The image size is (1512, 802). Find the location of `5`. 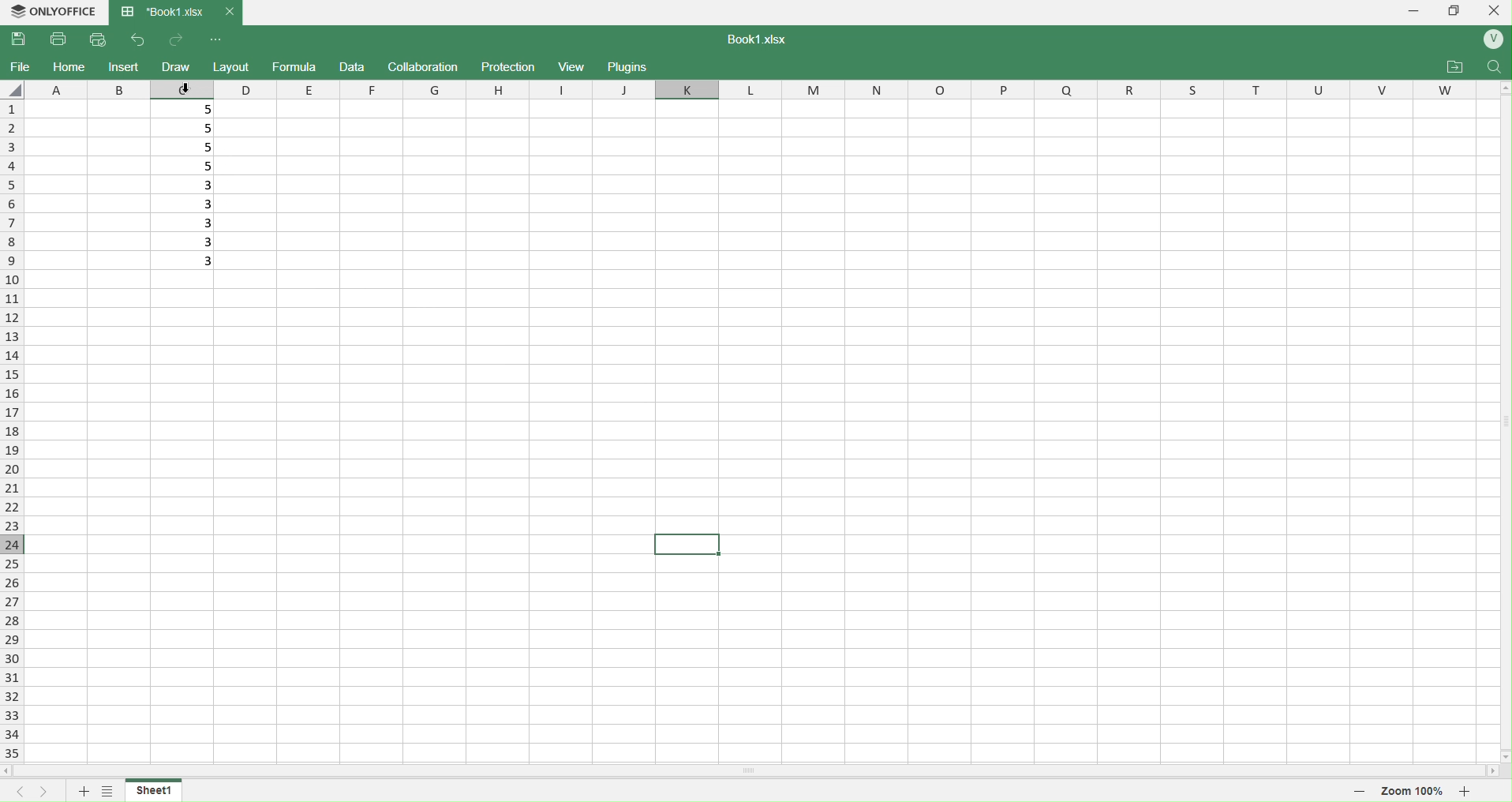

5 is located at coordinates (185, 107).